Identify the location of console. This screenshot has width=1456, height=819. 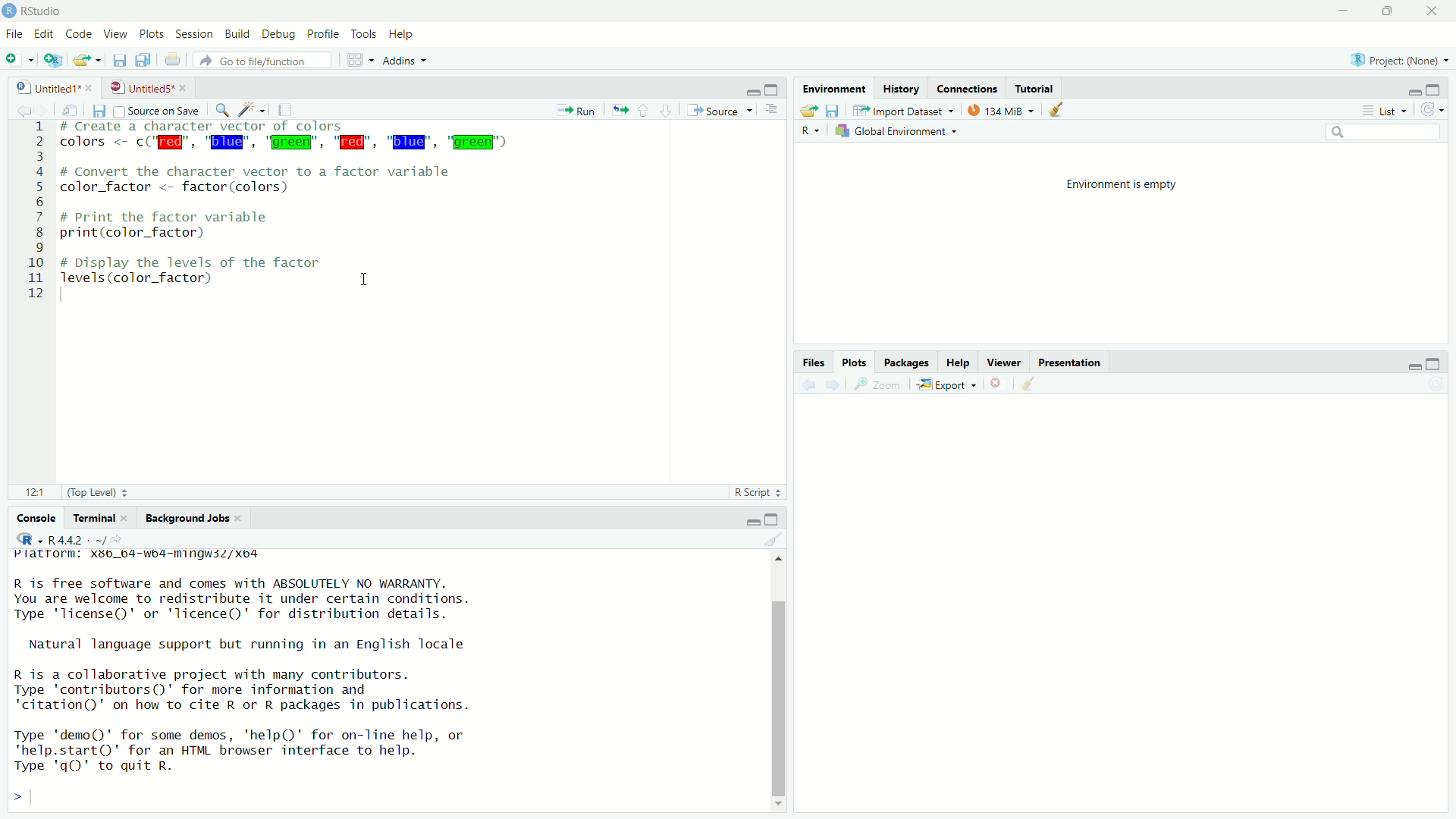
(31, 517).